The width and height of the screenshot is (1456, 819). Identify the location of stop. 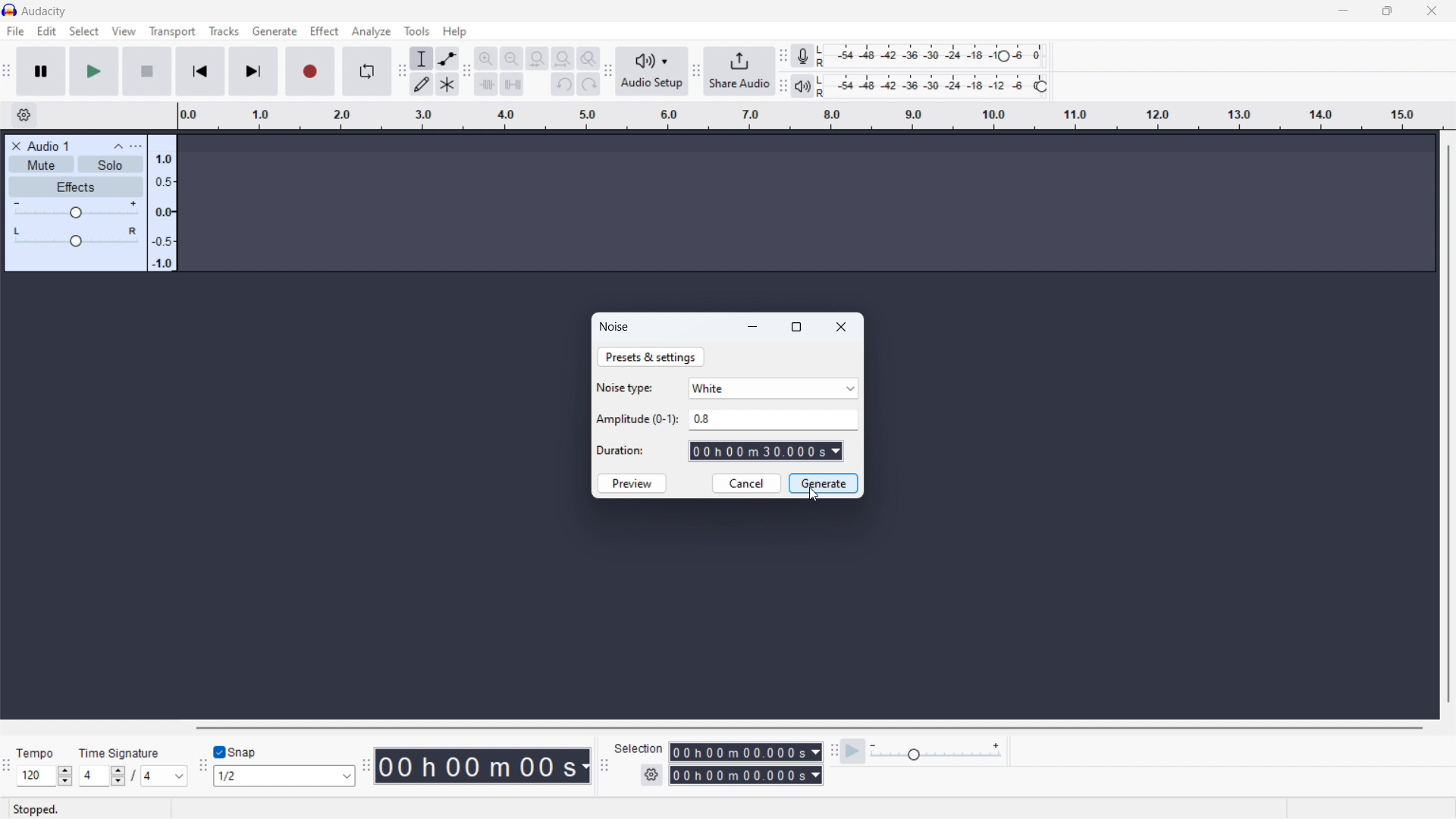
(147, 71).